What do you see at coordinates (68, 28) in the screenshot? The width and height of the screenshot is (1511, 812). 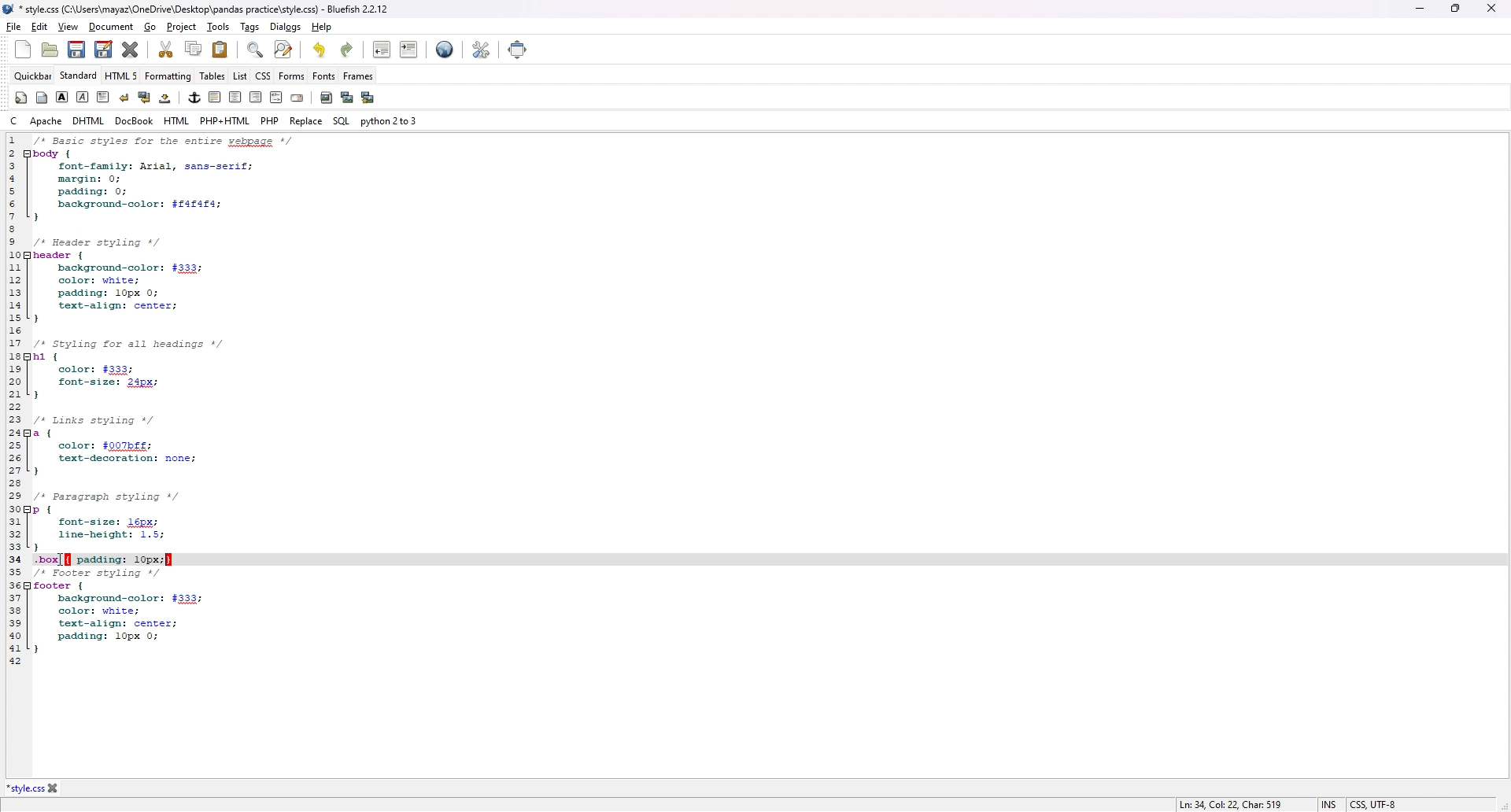 I see `view` at bounding box center [68, 28].